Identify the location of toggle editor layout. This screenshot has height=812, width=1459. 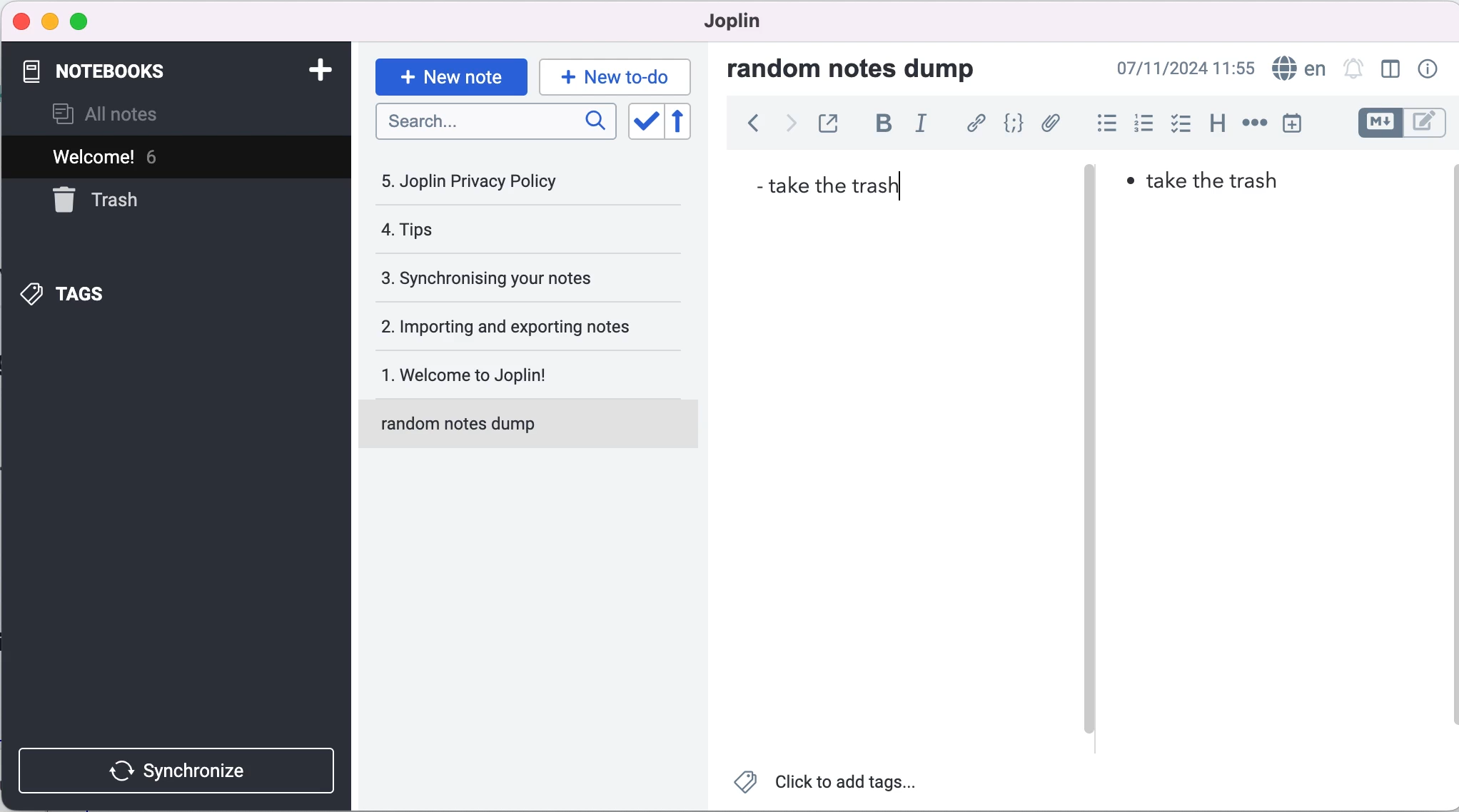
(1390, 70).